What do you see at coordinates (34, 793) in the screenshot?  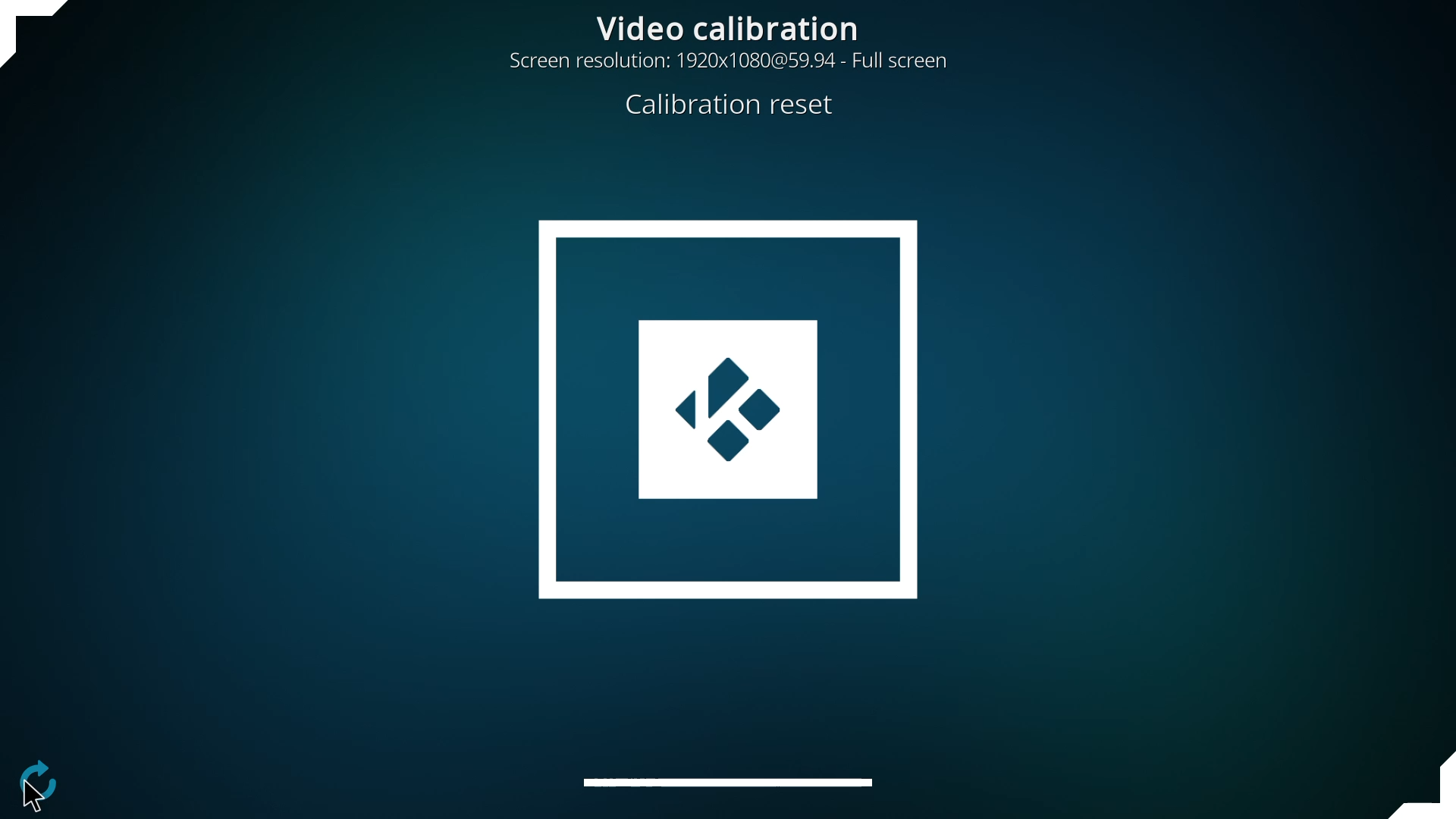 I see `cursor` at bounding box center [34, 793].